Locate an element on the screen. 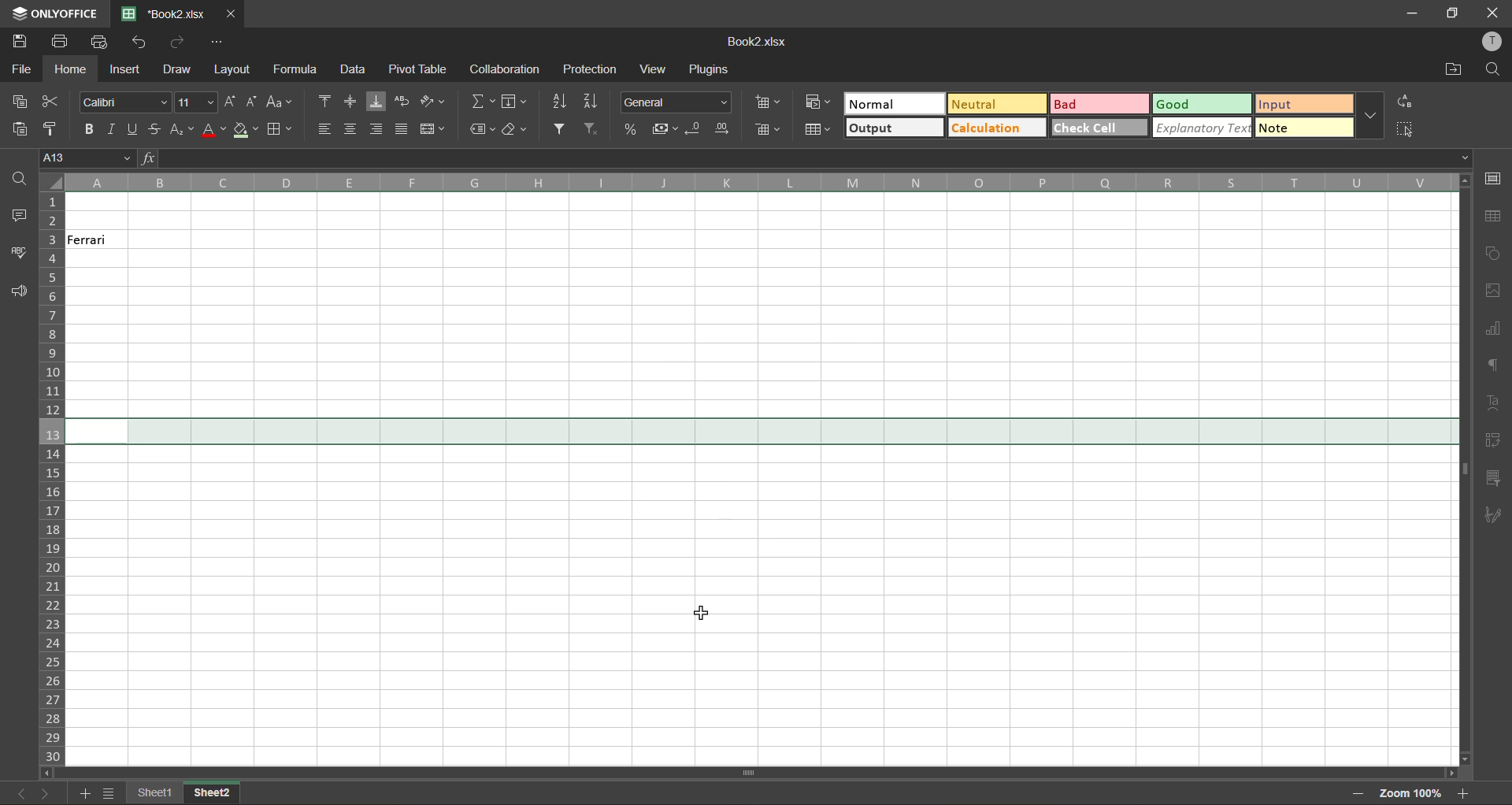 The height and width of the screenshot is (805, 1512). paste is located at coordinates (20, 128).